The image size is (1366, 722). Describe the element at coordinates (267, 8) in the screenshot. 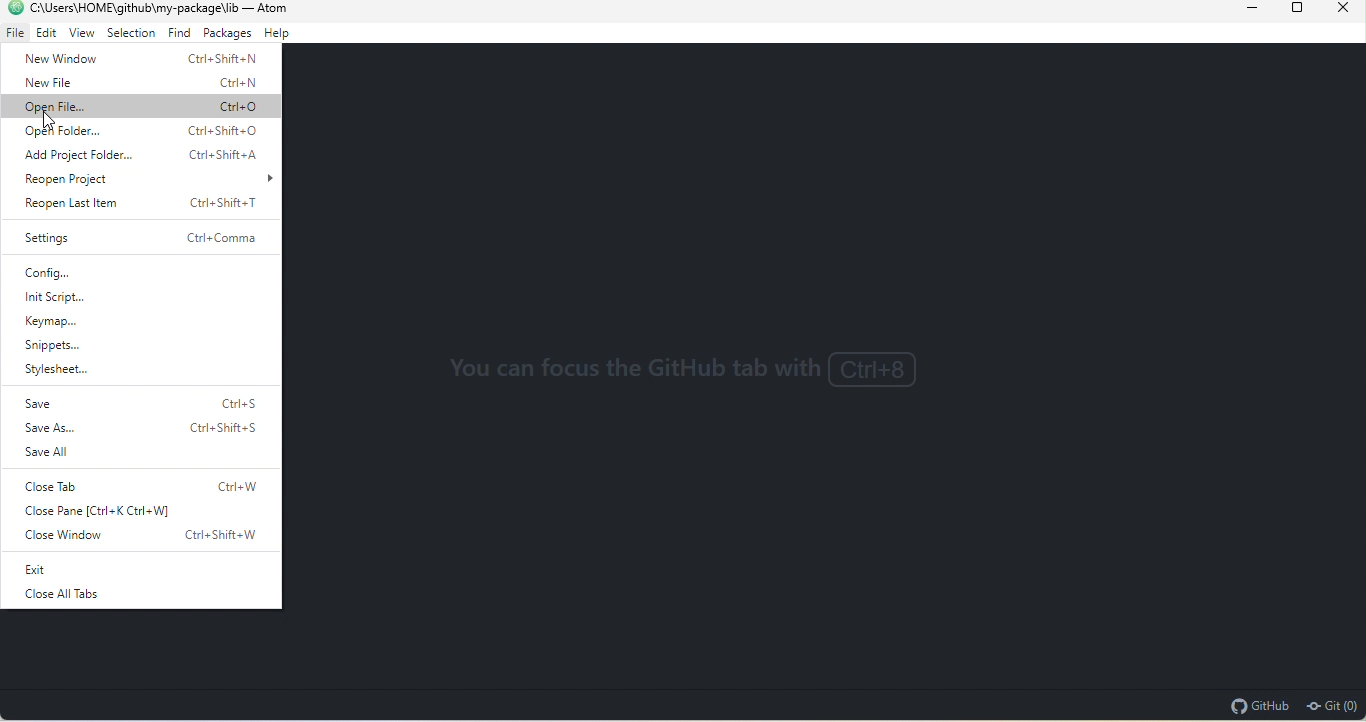

I see `- Atom` at that location.